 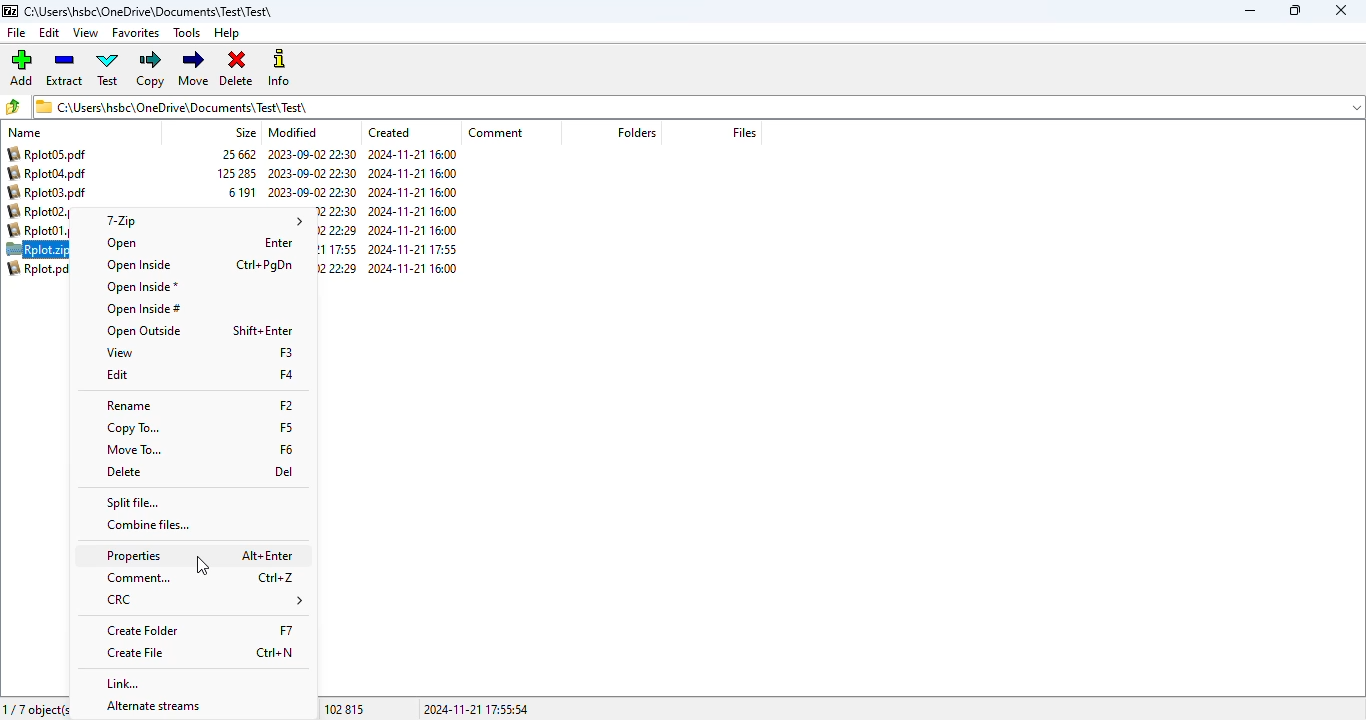 What do you see at coordinates (285, 627) in the screenshot?
I see `F7` at bounding box center [285, 627].